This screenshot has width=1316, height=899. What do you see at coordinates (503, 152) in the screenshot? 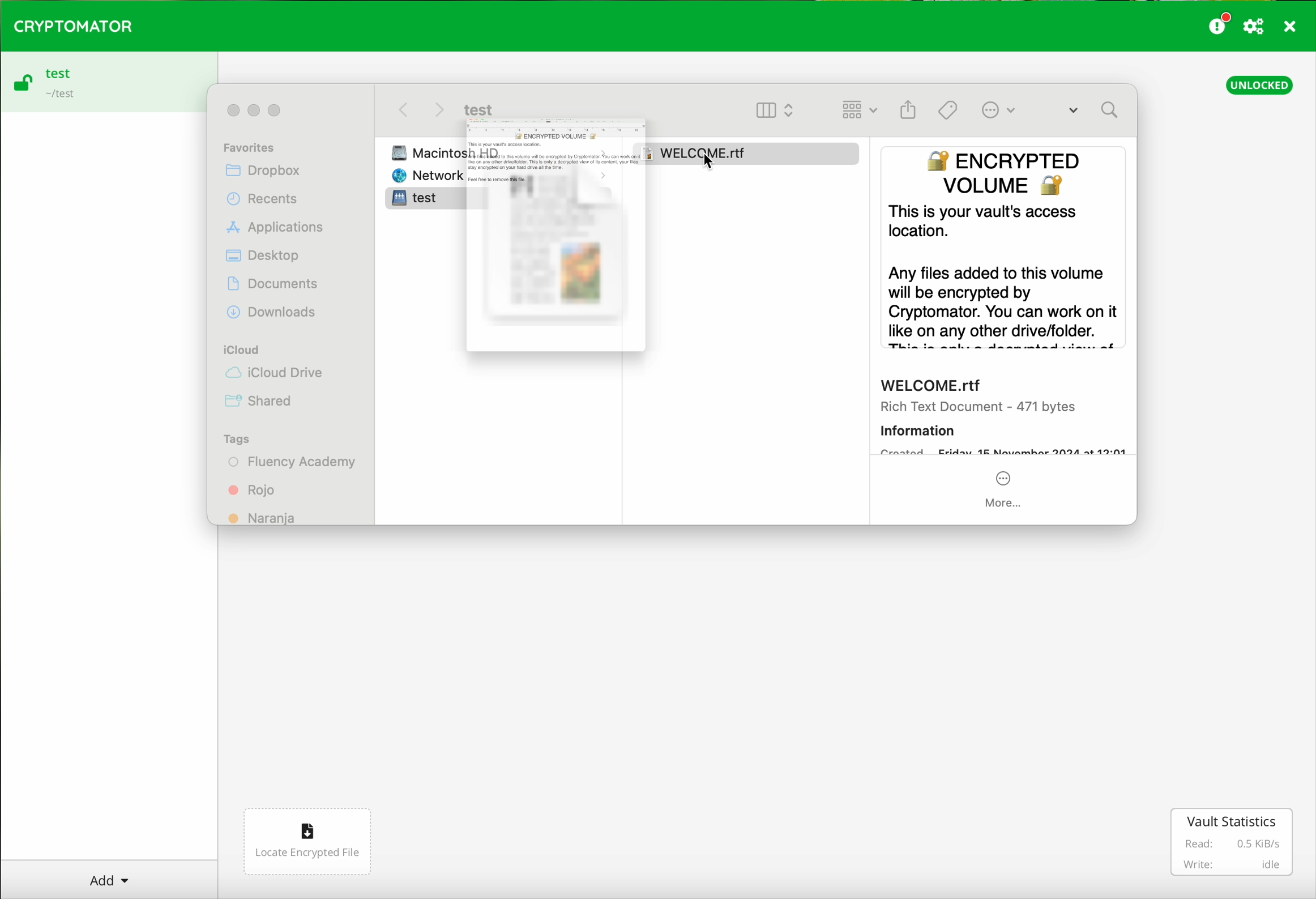
I see `Macintosh HD` at bounding box center [503, 152].